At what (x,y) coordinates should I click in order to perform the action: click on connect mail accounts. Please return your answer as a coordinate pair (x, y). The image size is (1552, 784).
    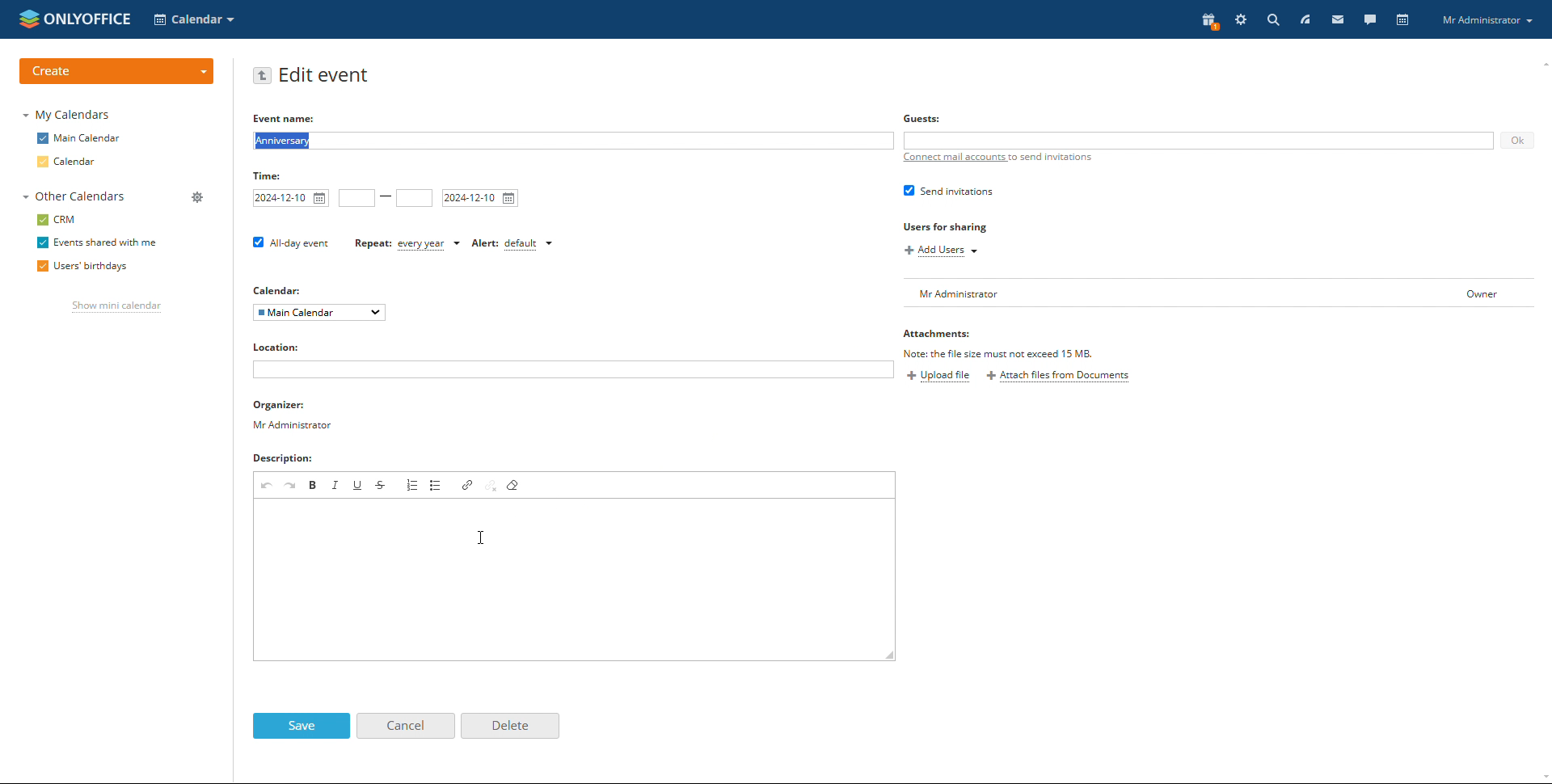
    Looking at the image, I should click on (994, 158).